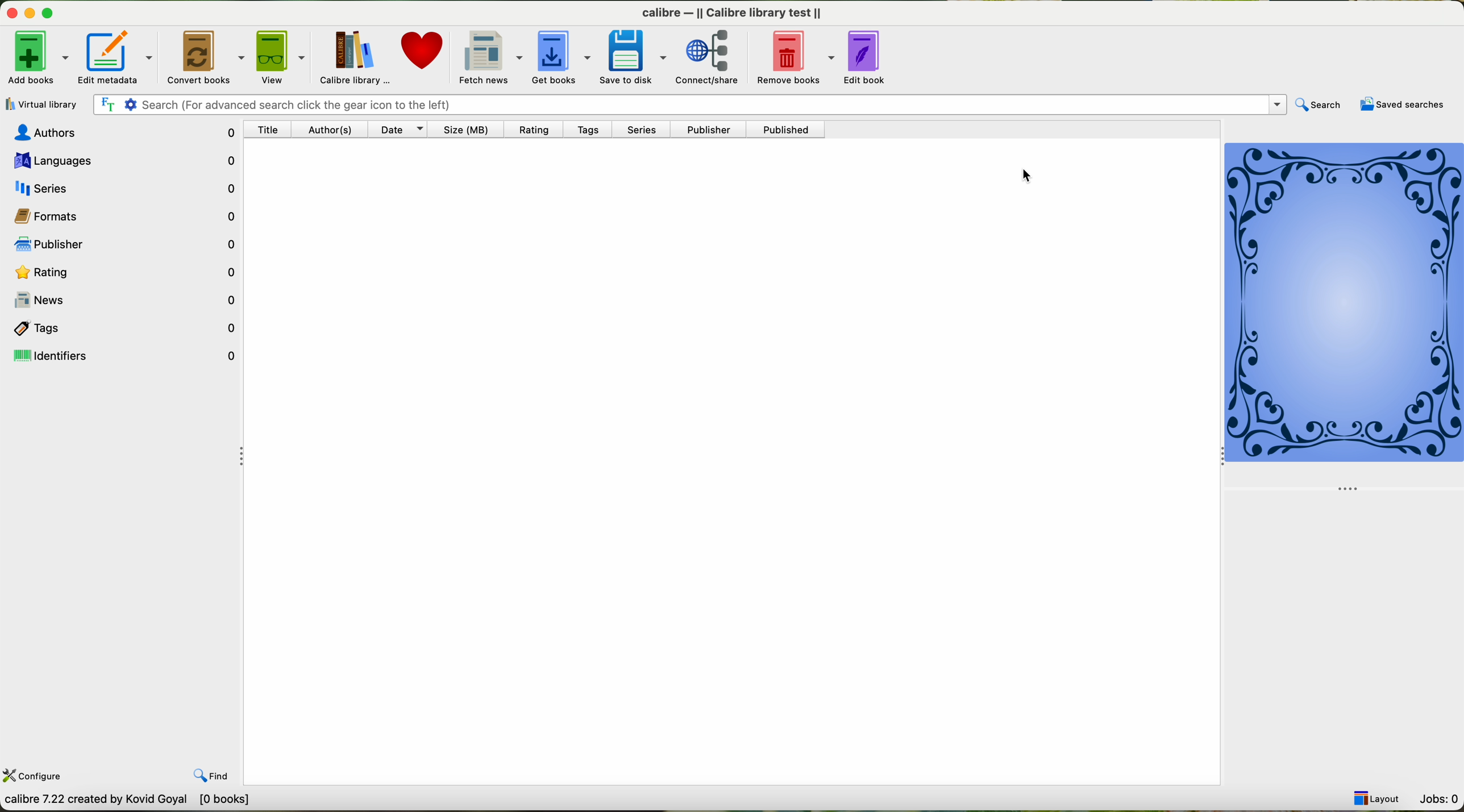 This screenshot has width=1464, height=812. What do you see at coordinates (10, 13) in the screenshot?
I see `close program` at bounding box center [10, 13].